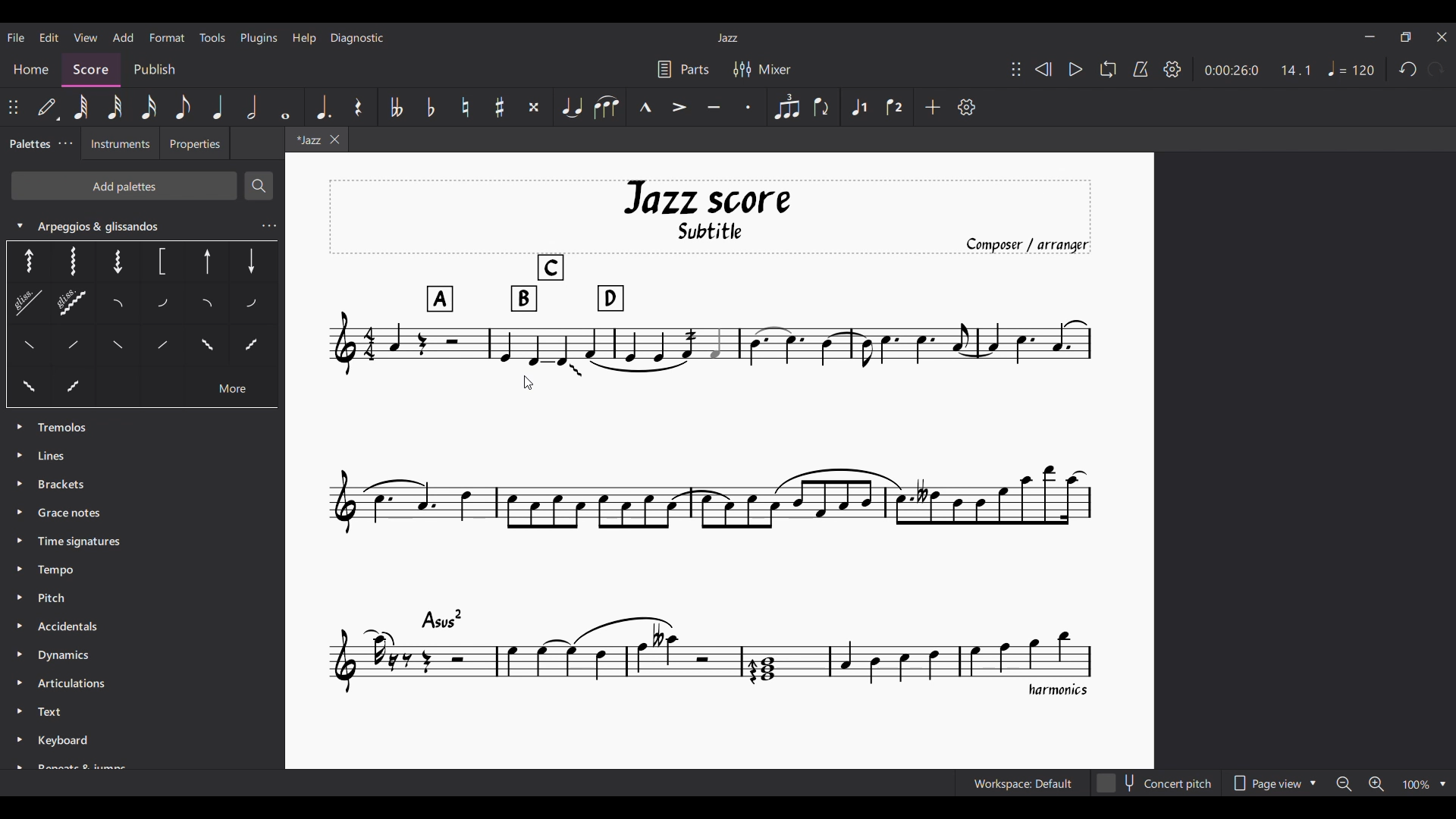 The image size is (1456, 819). I want to click on Metronome, so click(1141, 69).